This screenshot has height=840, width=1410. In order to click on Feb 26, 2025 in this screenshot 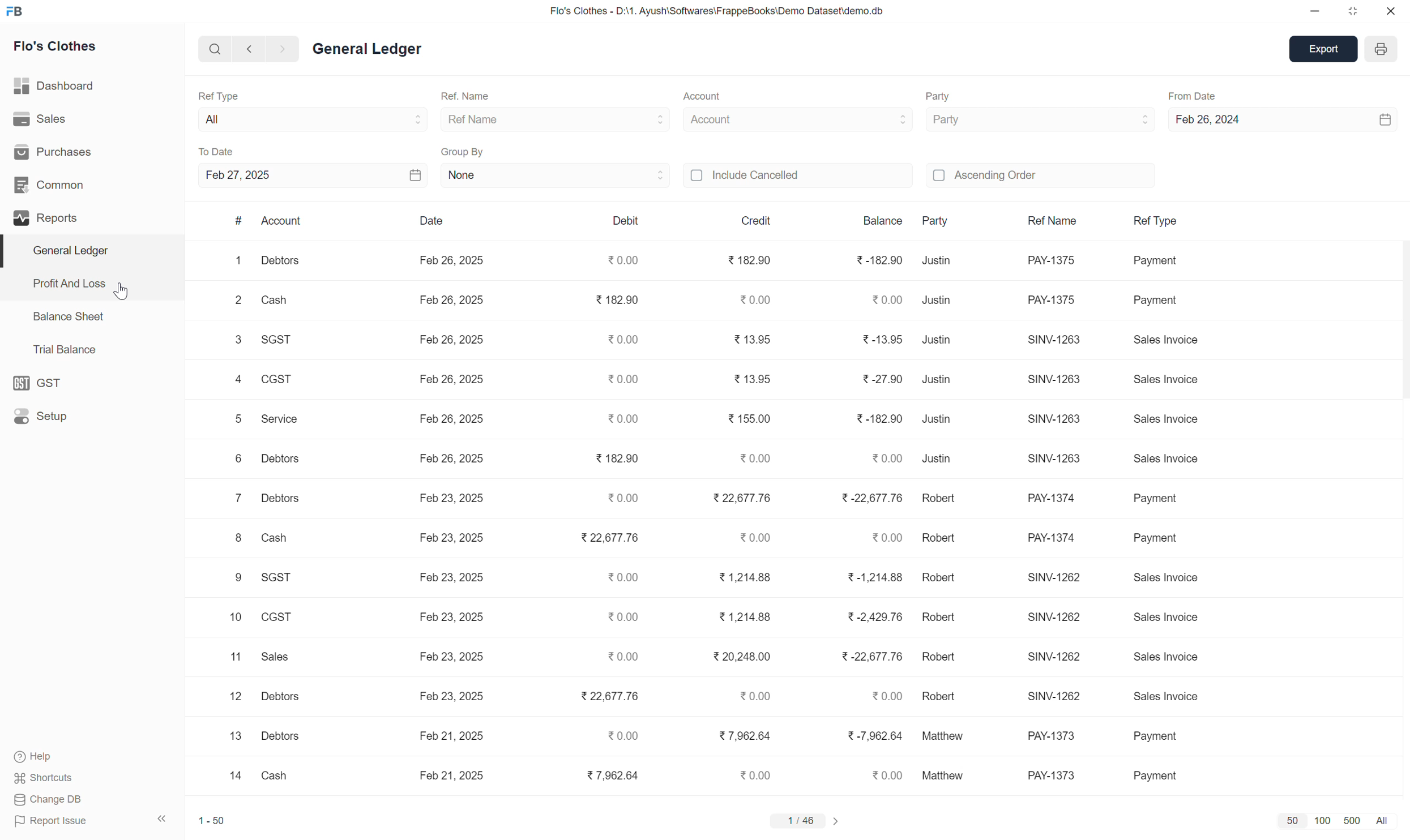, I will do `click(451, 460)`.